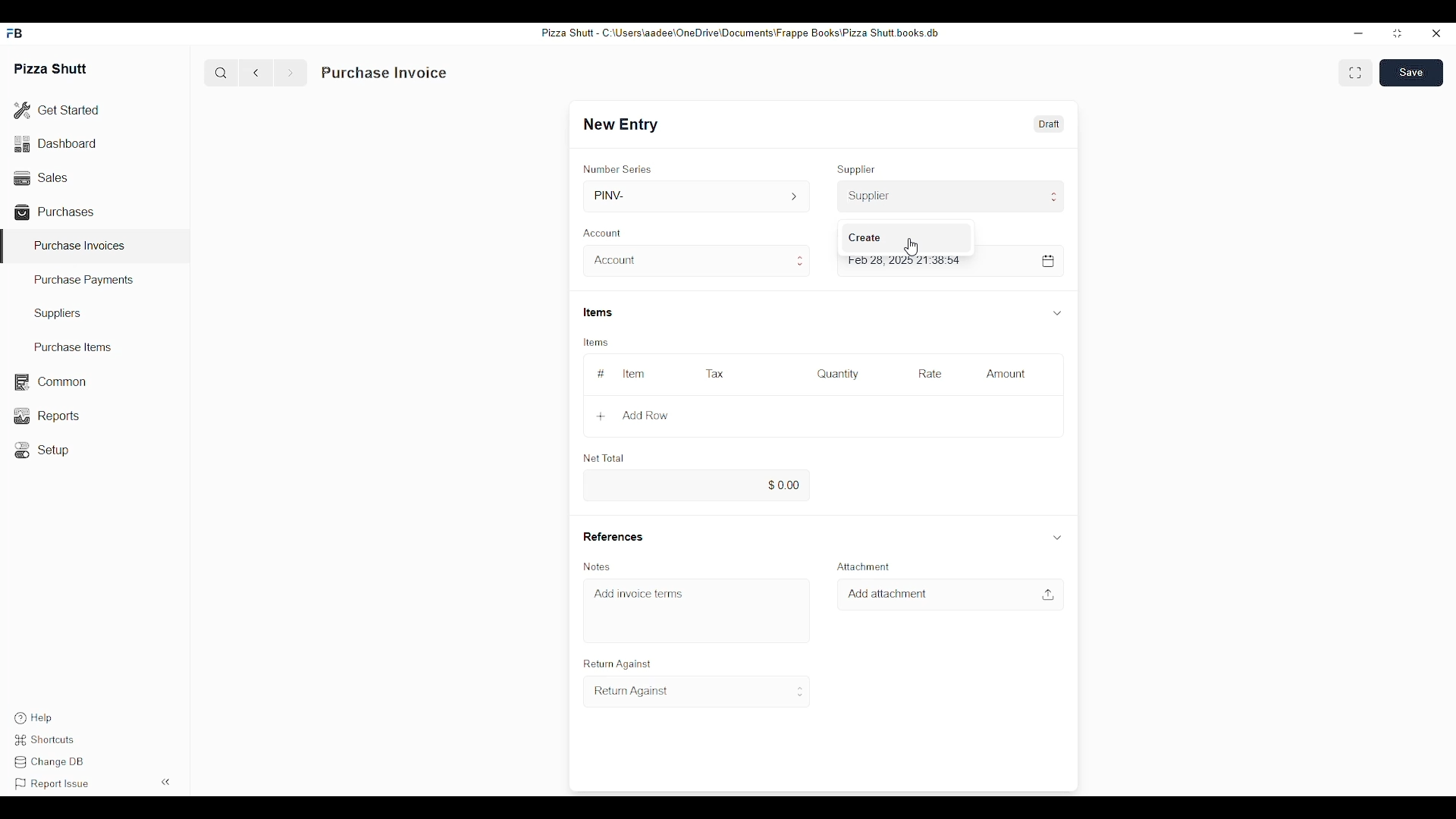  I want to click on Account, so click(699, 261).